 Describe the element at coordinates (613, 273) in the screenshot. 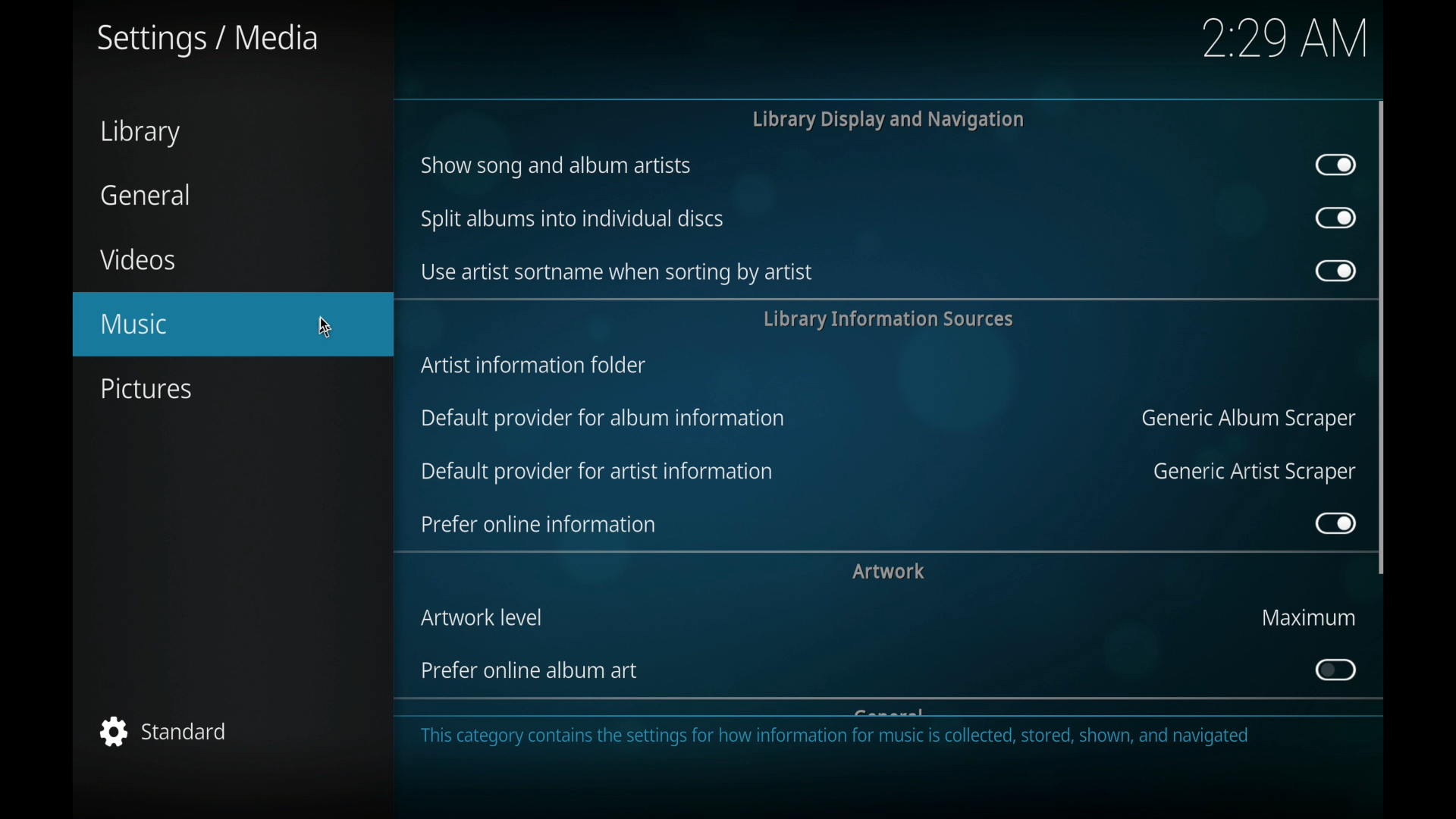

I see `use artist sort name when sorting by artist` at that location.